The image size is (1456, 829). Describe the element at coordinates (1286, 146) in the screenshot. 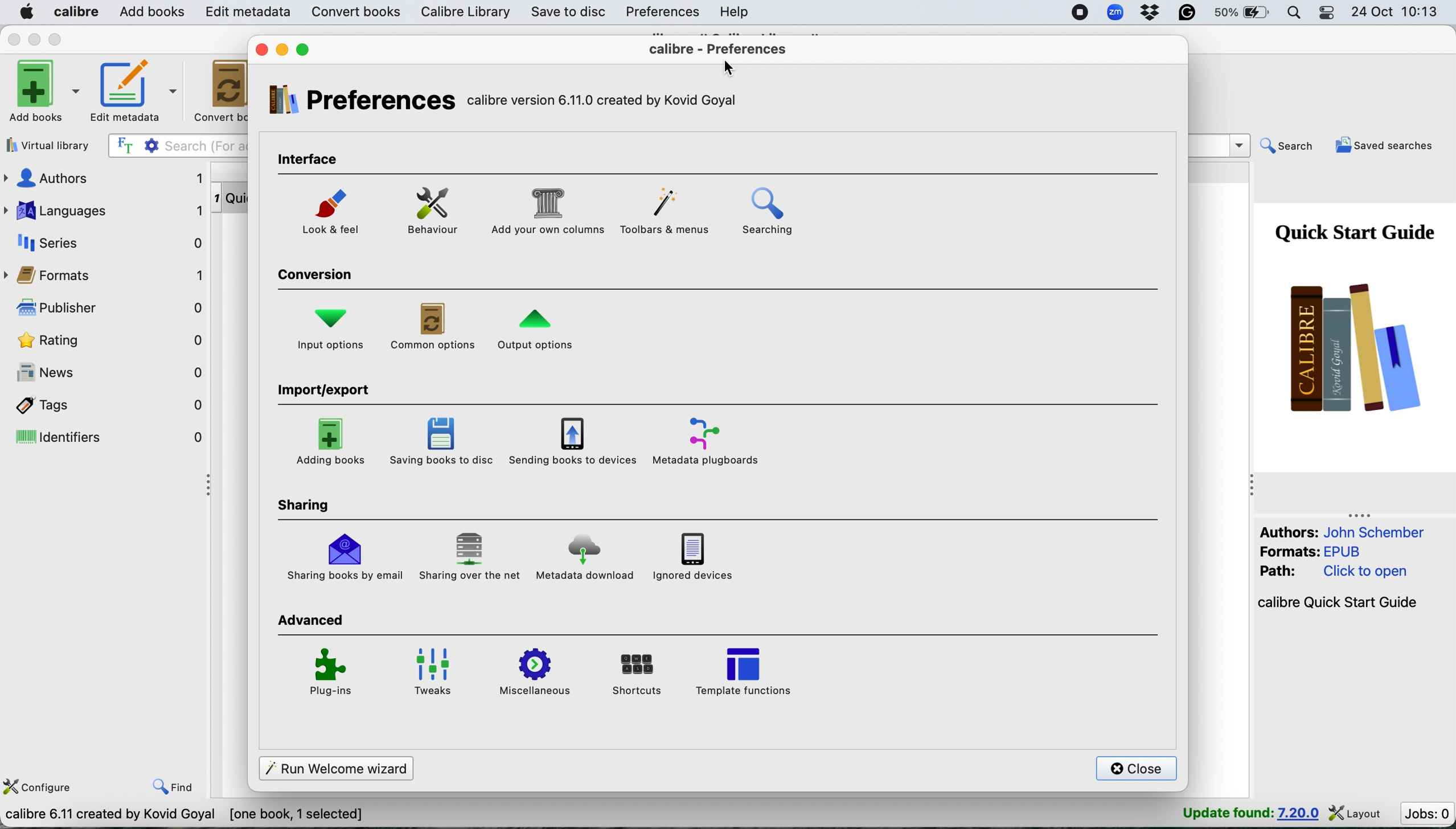

I see `search` at that location.